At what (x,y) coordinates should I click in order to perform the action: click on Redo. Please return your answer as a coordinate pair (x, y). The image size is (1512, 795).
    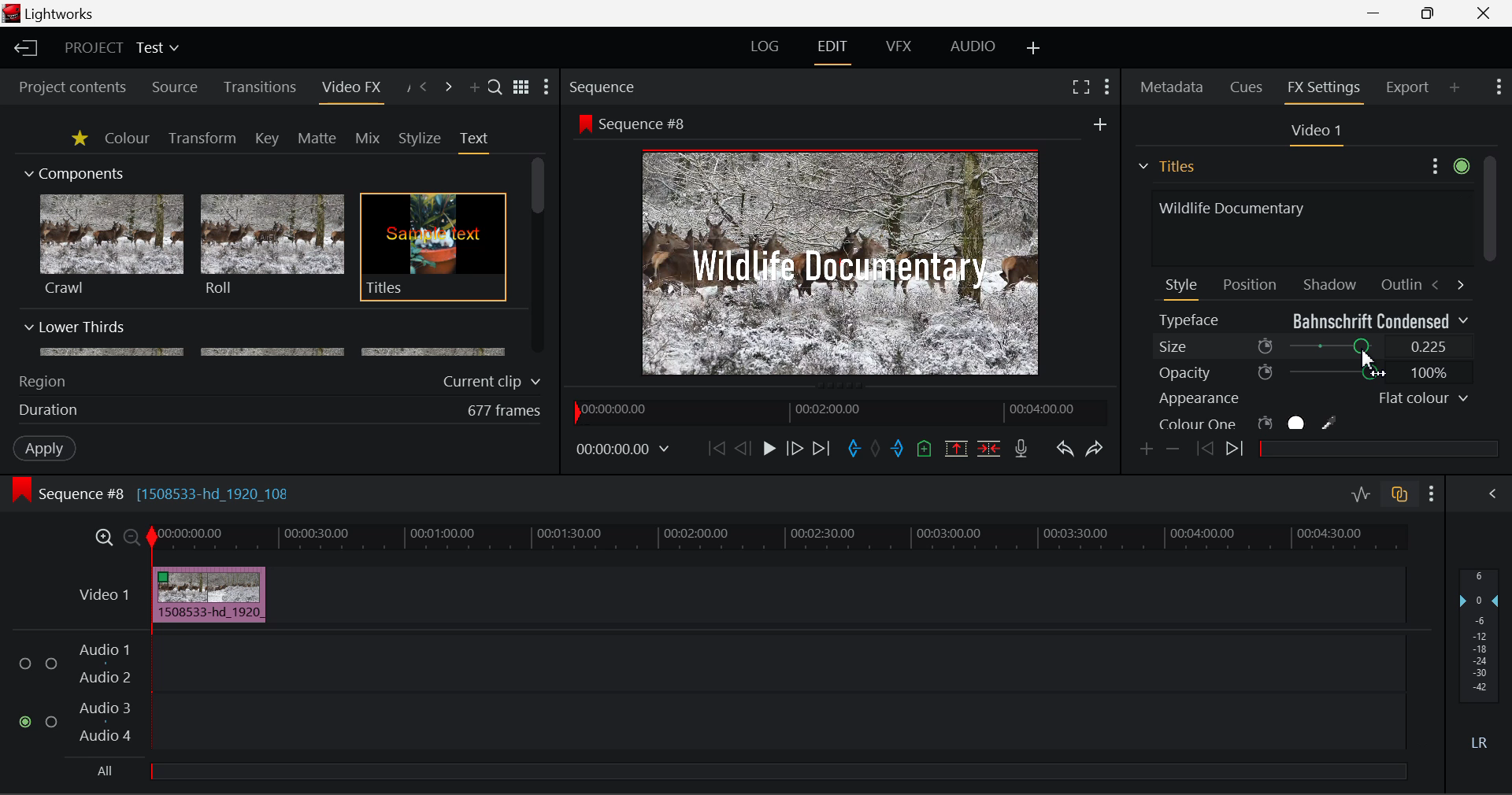
    Looking at the image, I should click on (1096, 449).